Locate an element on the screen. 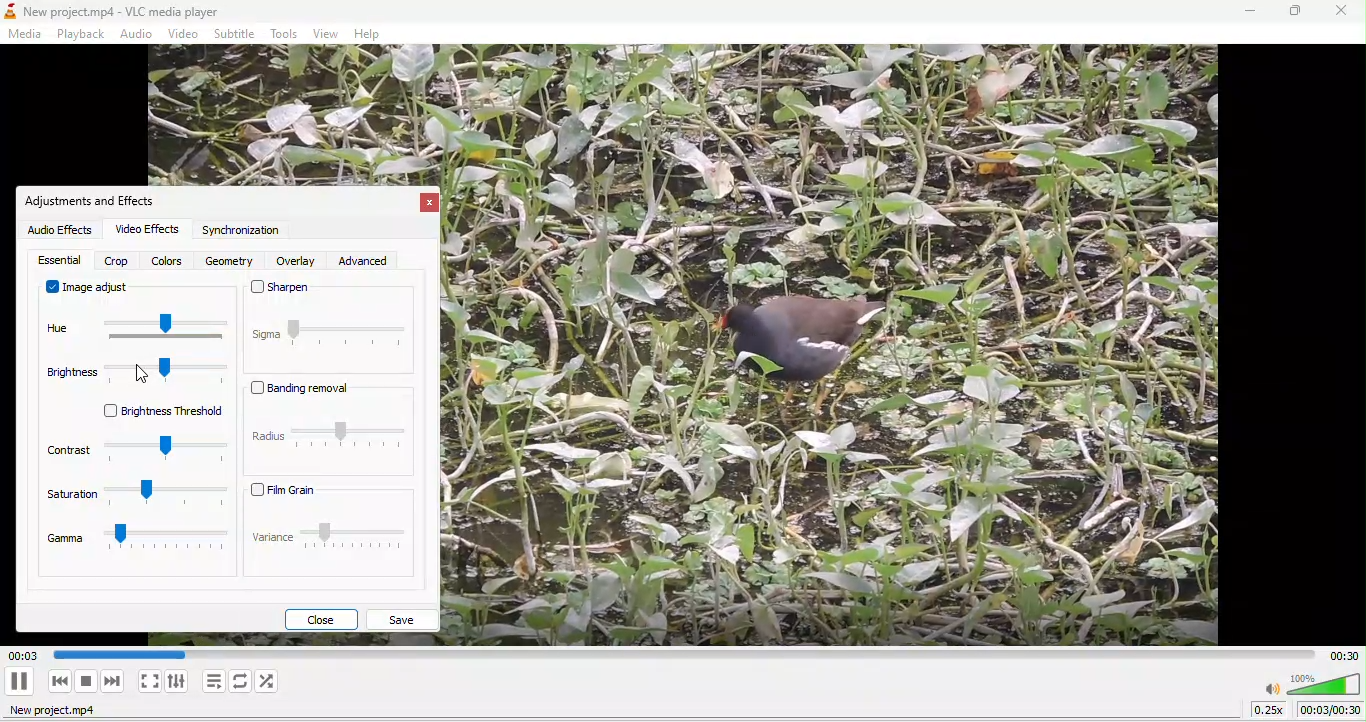 The width and height of the screenshot is (1366, 722). synchronization is located at coordinates (245, 233).